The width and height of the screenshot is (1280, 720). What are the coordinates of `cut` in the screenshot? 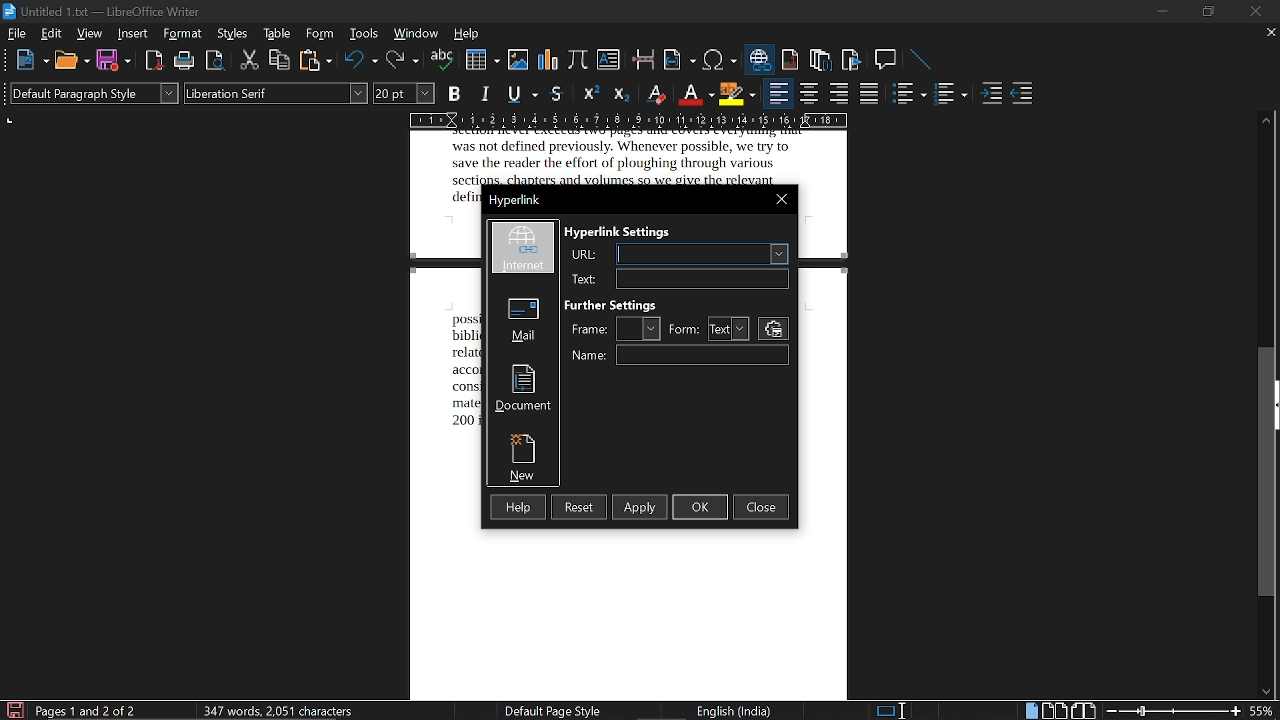 It's located at (250, 60).